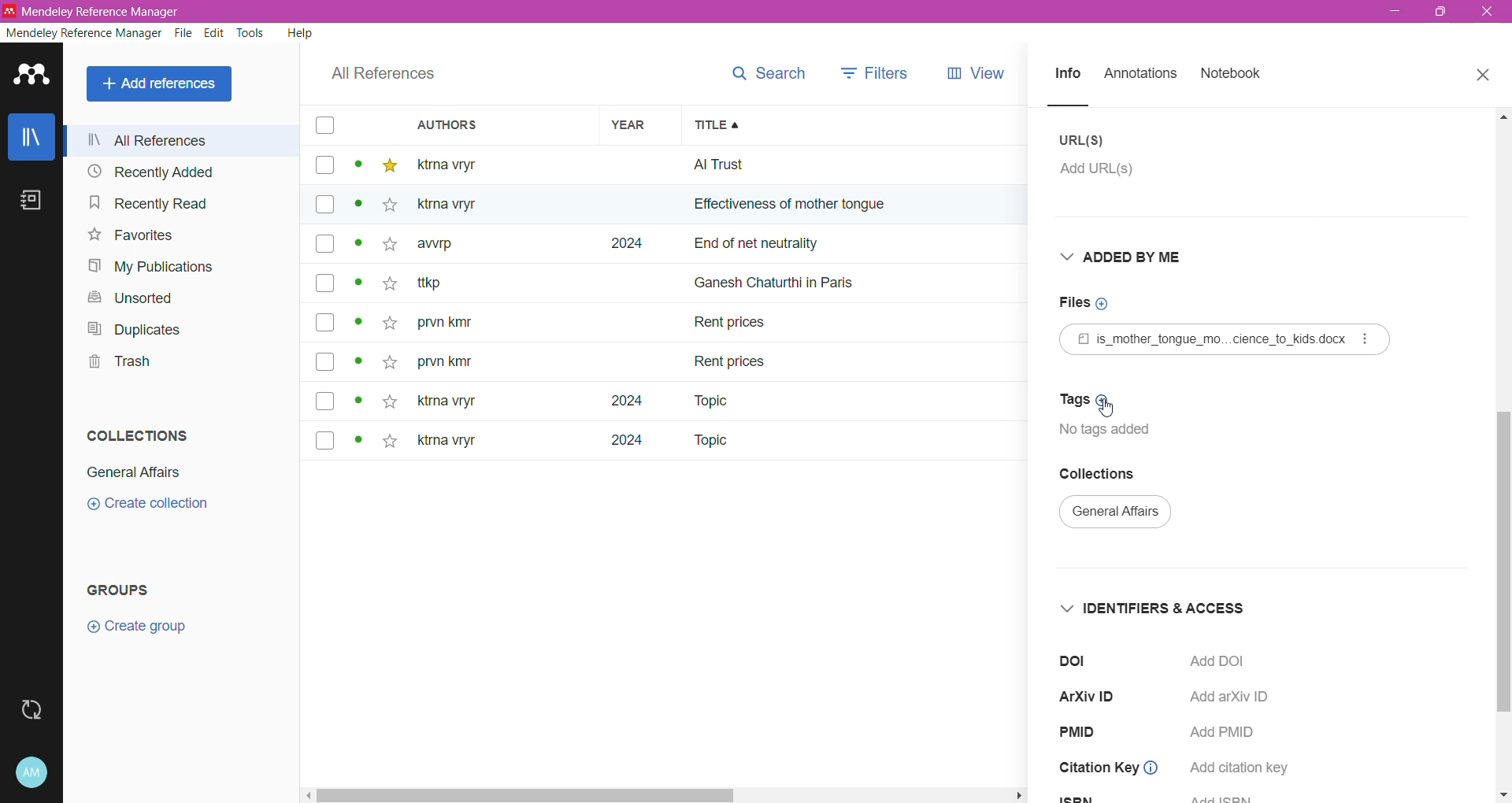  Describe the element at coordinates (107, 11) in the screenshot. I see `Application Name` at that location.